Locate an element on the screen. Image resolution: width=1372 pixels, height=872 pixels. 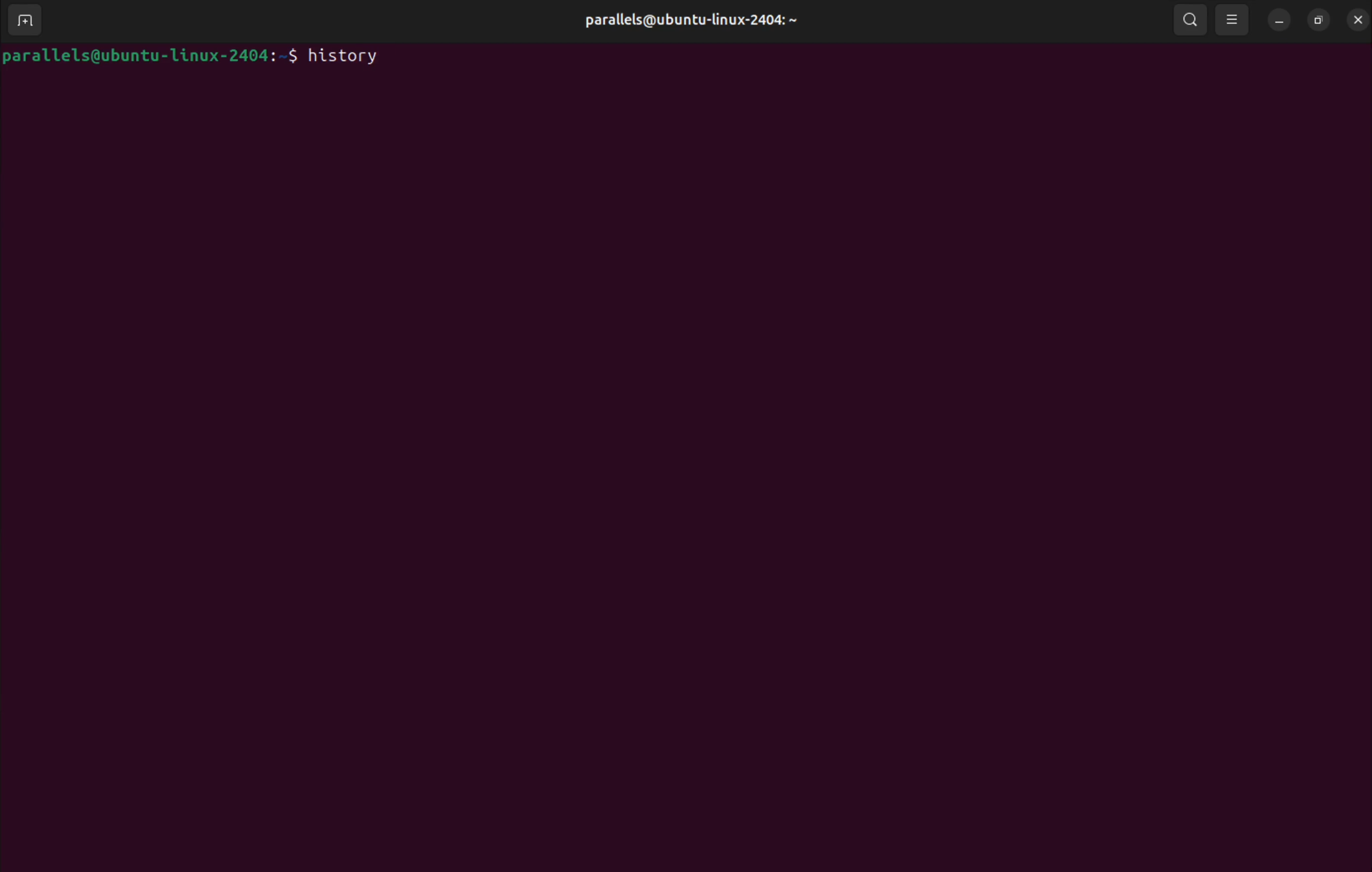
add new window is located at coordinates (23, 21).